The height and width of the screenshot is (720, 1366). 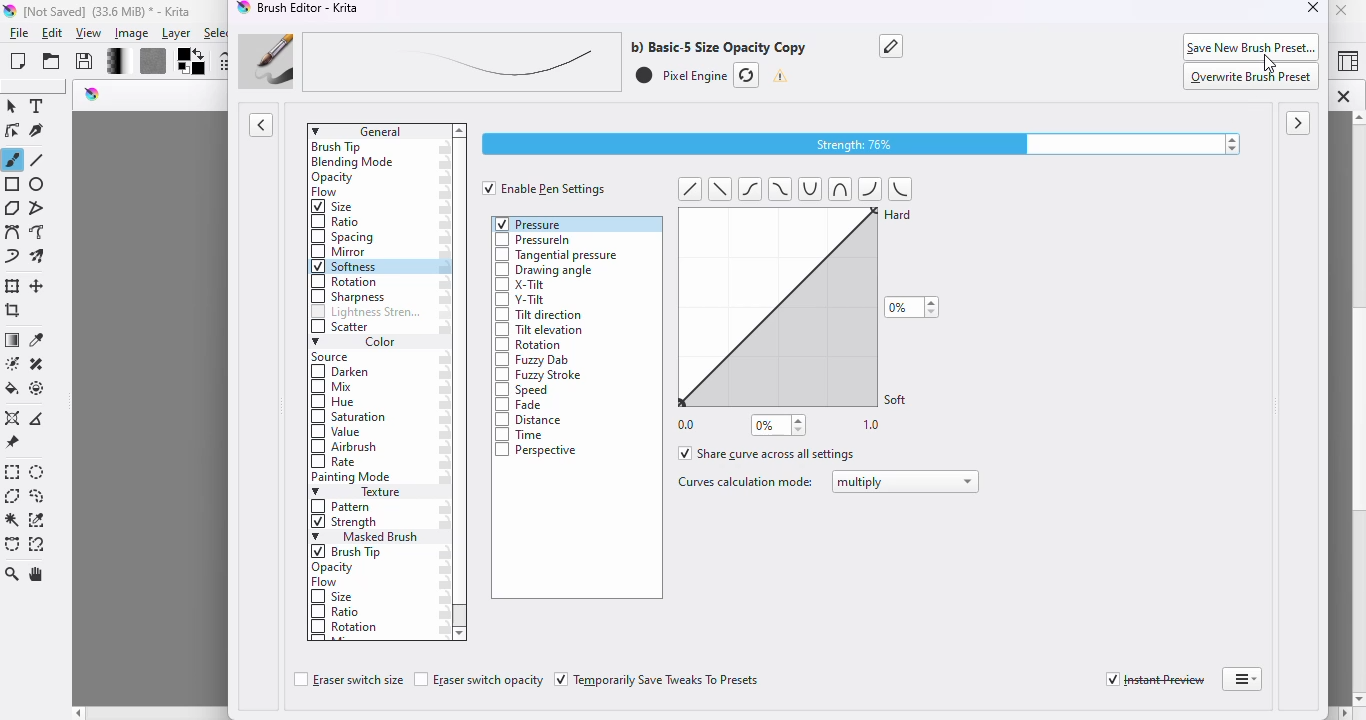 What do you see at coordinates (39, 132) in the screenshot?
I see `calligraphy` at bounding box center [39, 132].